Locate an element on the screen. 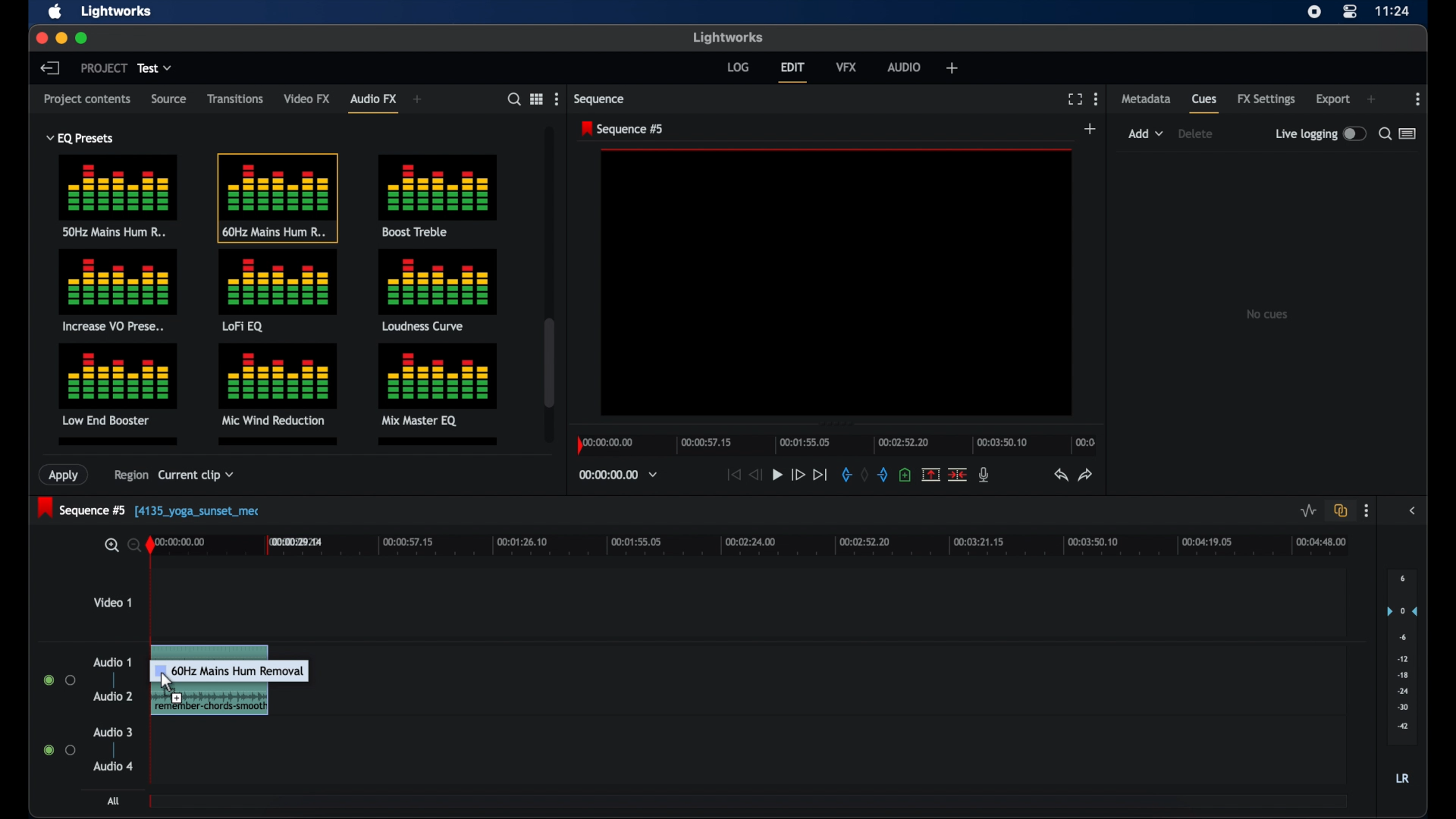 This screenshot has height=819, width=1456. search is located at coordinates (514, 99).